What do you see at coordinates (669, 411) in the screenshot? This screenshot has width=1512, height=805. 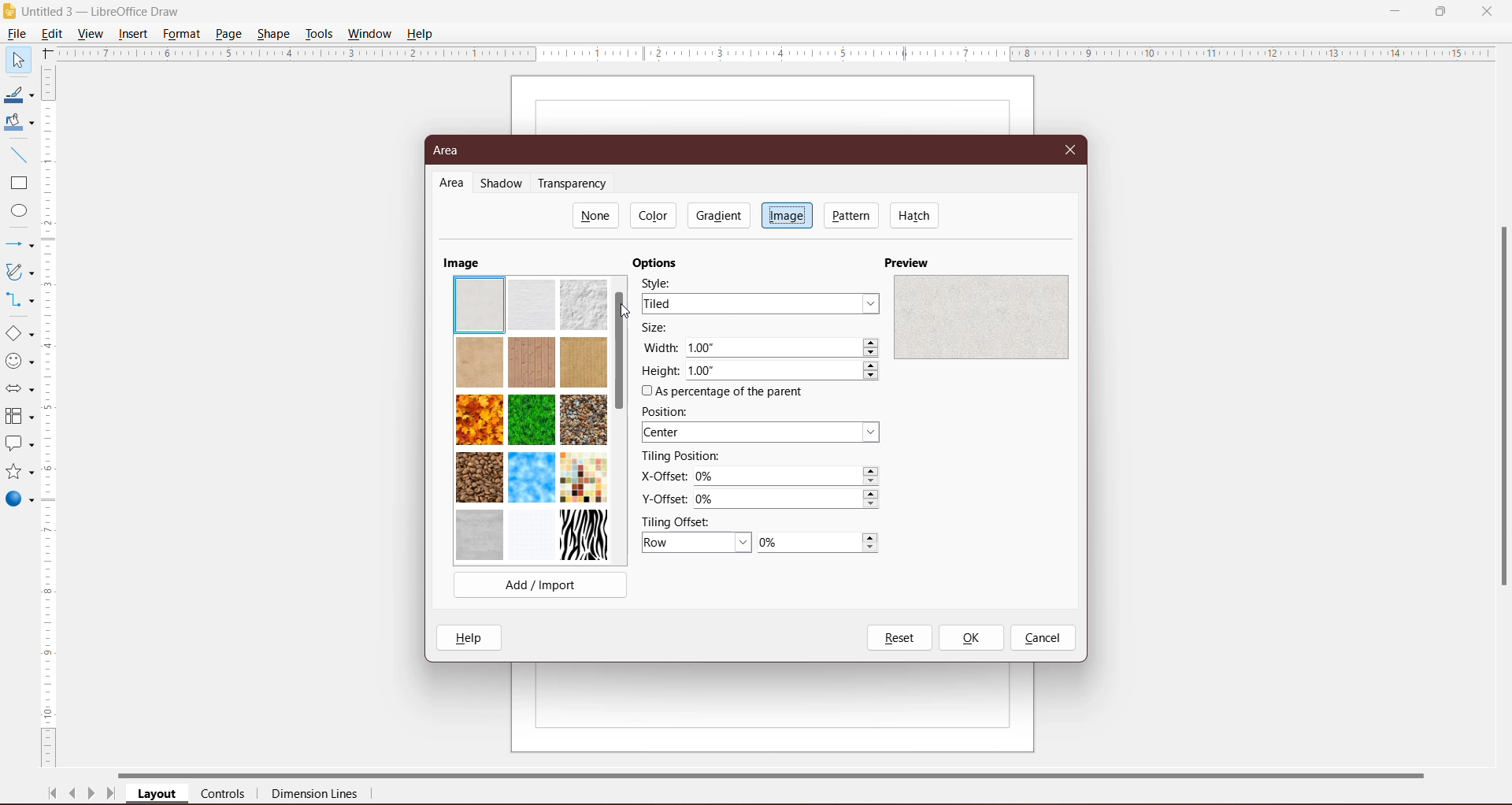 I see `Position` at bounding box center [669, 411].